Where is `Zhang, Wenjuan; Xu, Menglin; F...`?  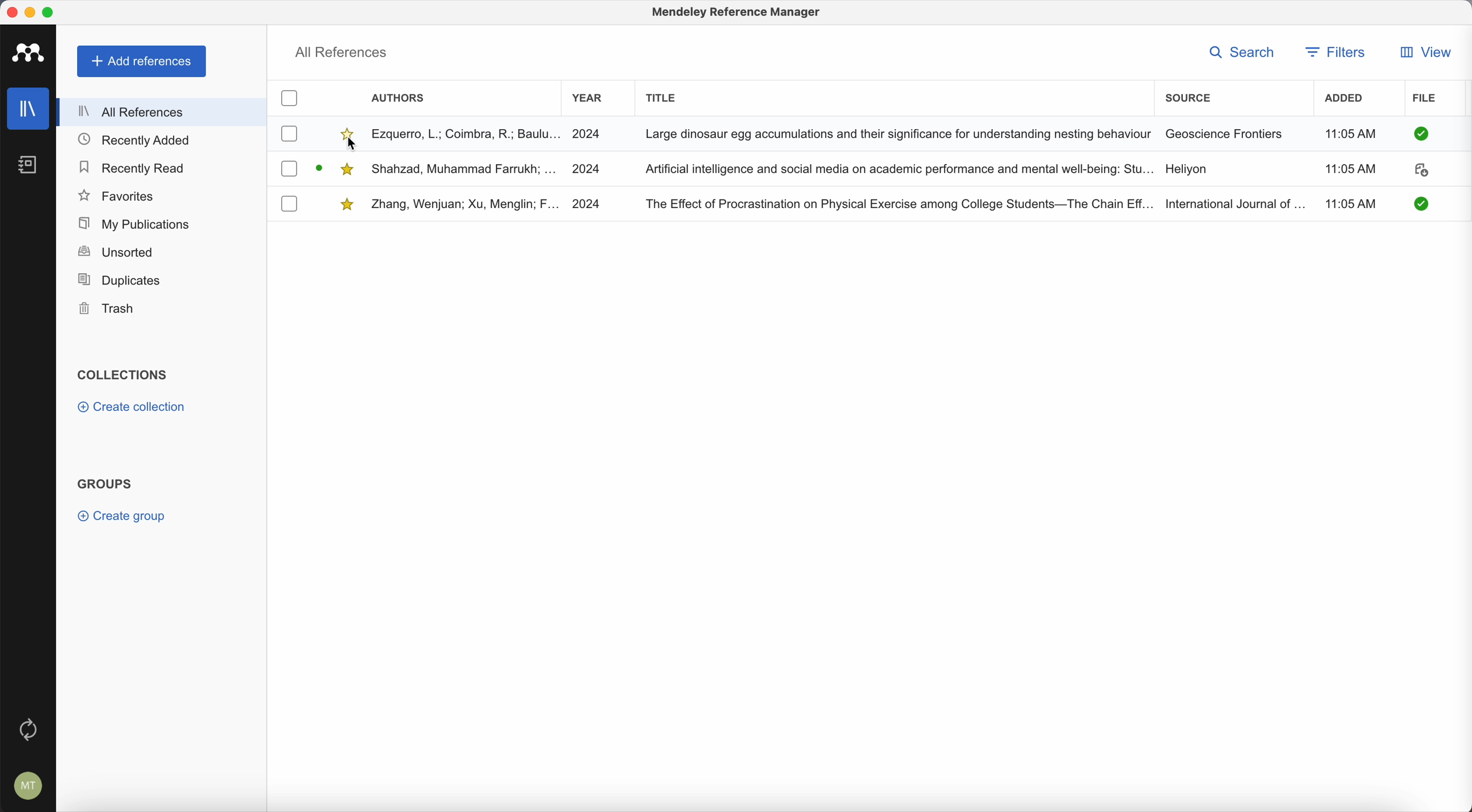
Zhang, Wenjuan; Xu, Menglin; F... is located at coordinates (466, 205).